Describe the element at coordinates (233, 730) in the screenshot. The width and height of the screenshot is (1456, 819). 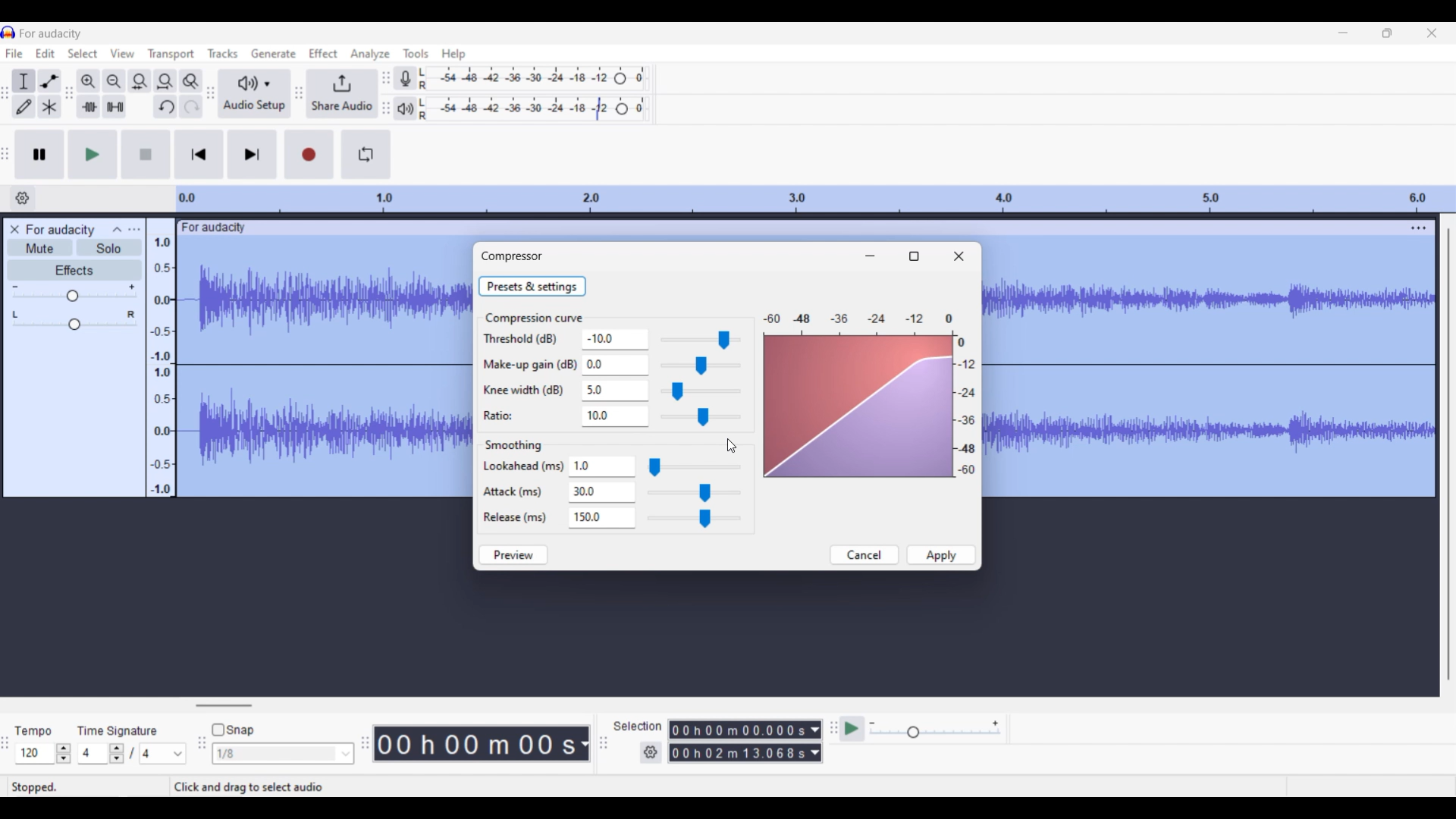
I see `Snap toggle` at that location.